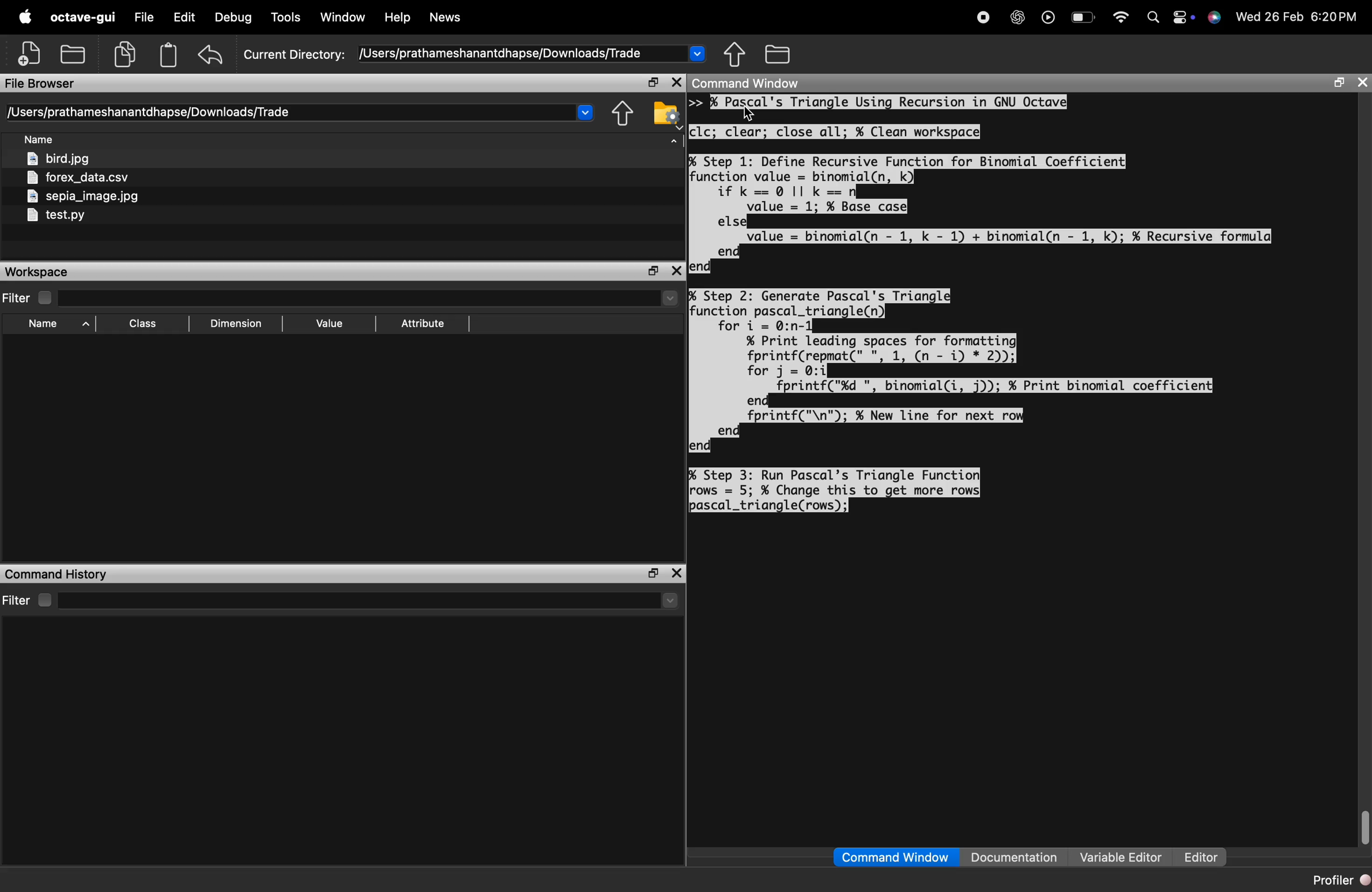  What do you see at coordinates (1154, 17) in the screenshot?
I see `find` at bounding box center [1154, 17].